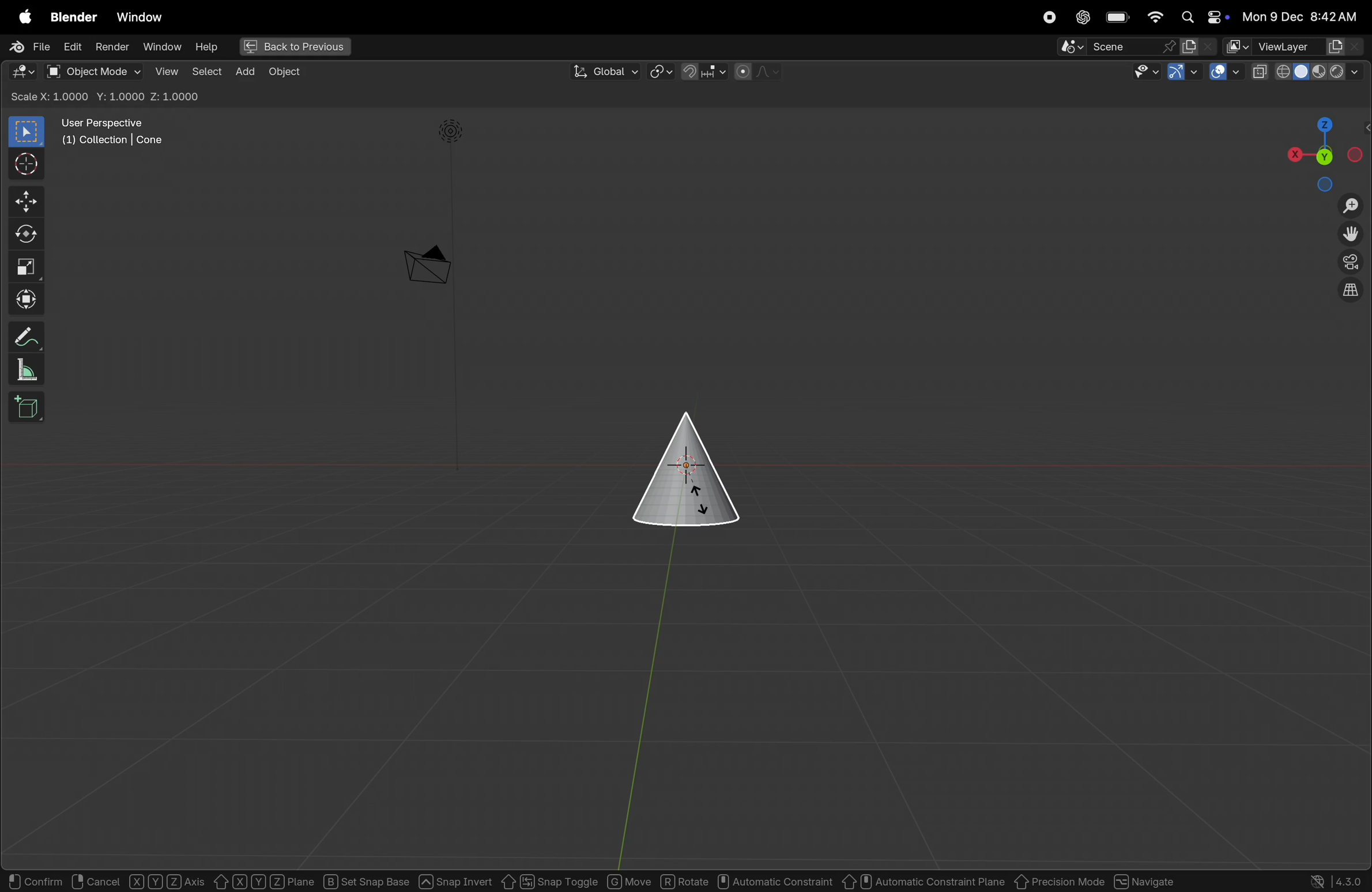  What do you see at coordinates (1352, 260) in the screenshot?
I see `toggle camera view` at bounding box center [1352, 260].